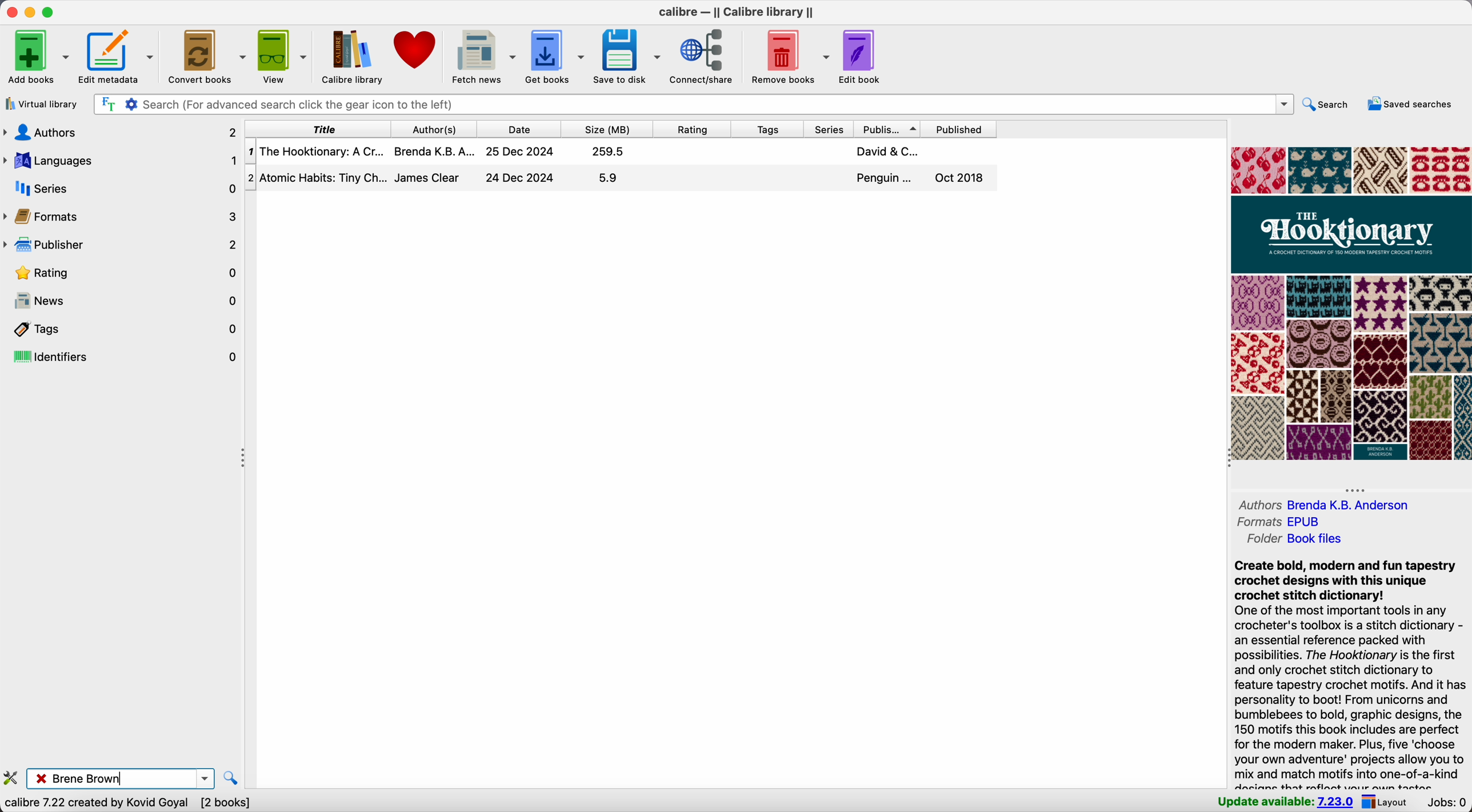 The image size is (1472, 812). What do you see at coordinates (318, 130) in the screenshot?
I see `title` at bounding box center [318, 130].